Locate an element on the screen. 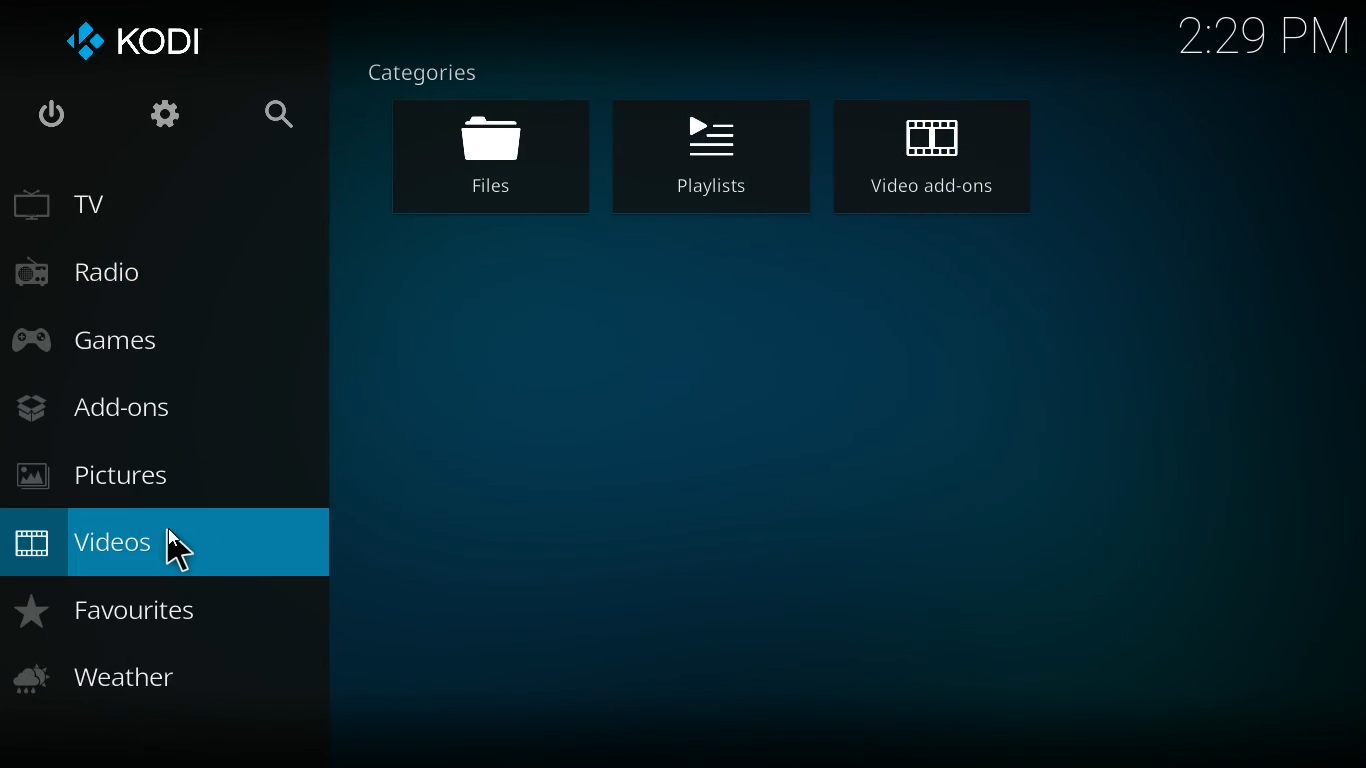  categories is located at coordinates (425, 71).